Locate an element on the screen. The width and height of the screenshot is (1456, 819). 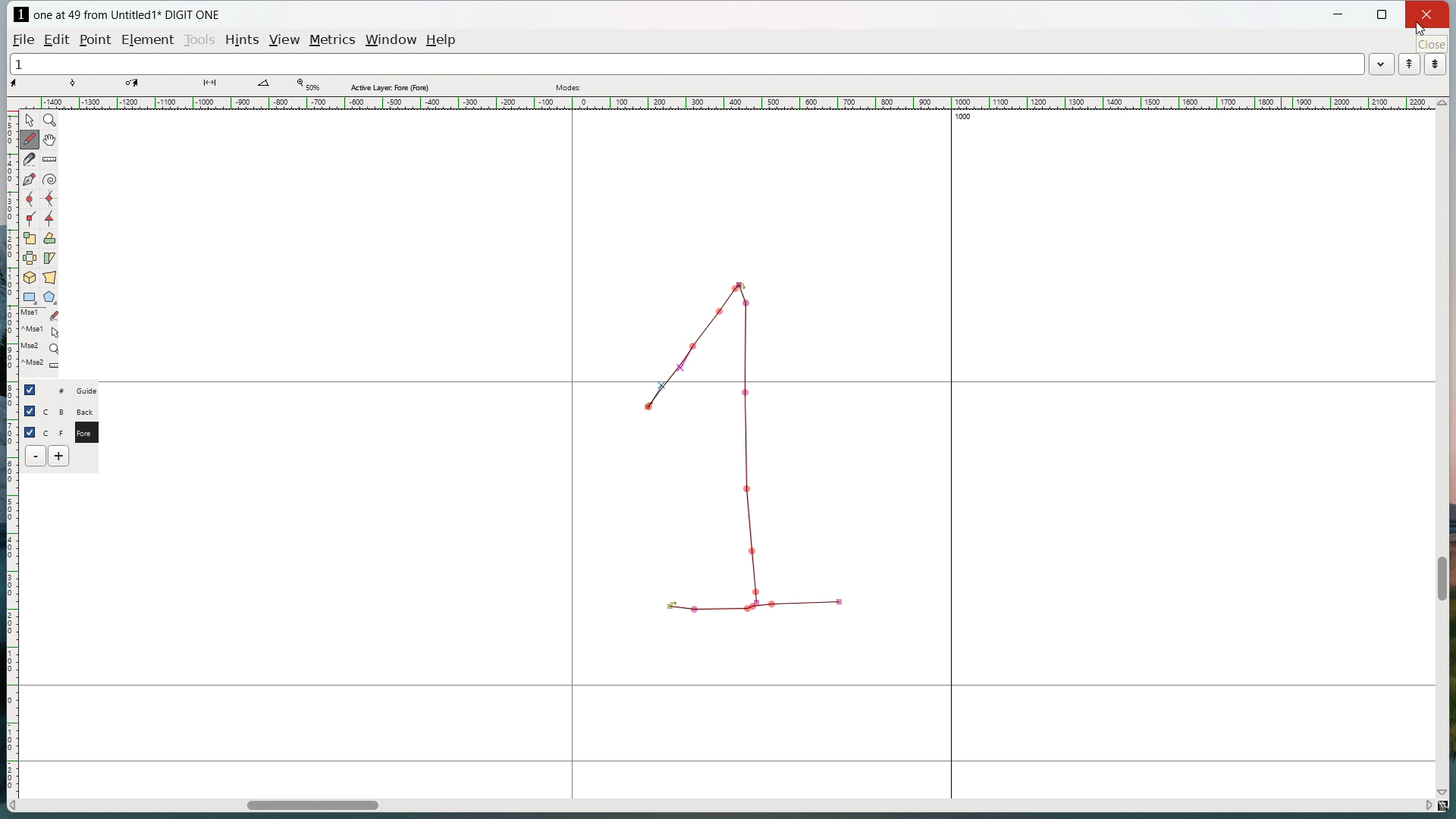
1000 is located at coordinates (970, 118).